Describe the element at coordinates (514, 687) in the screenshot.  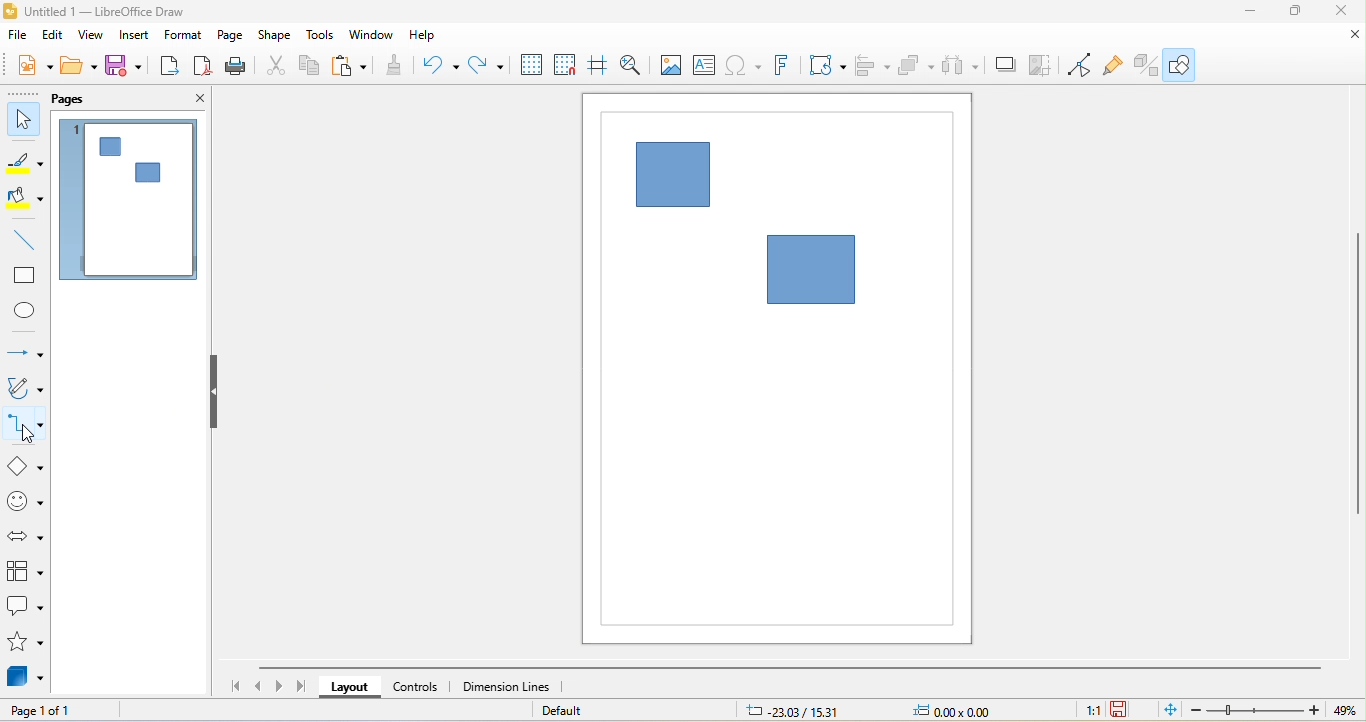
I see `dimension lines` at that location.